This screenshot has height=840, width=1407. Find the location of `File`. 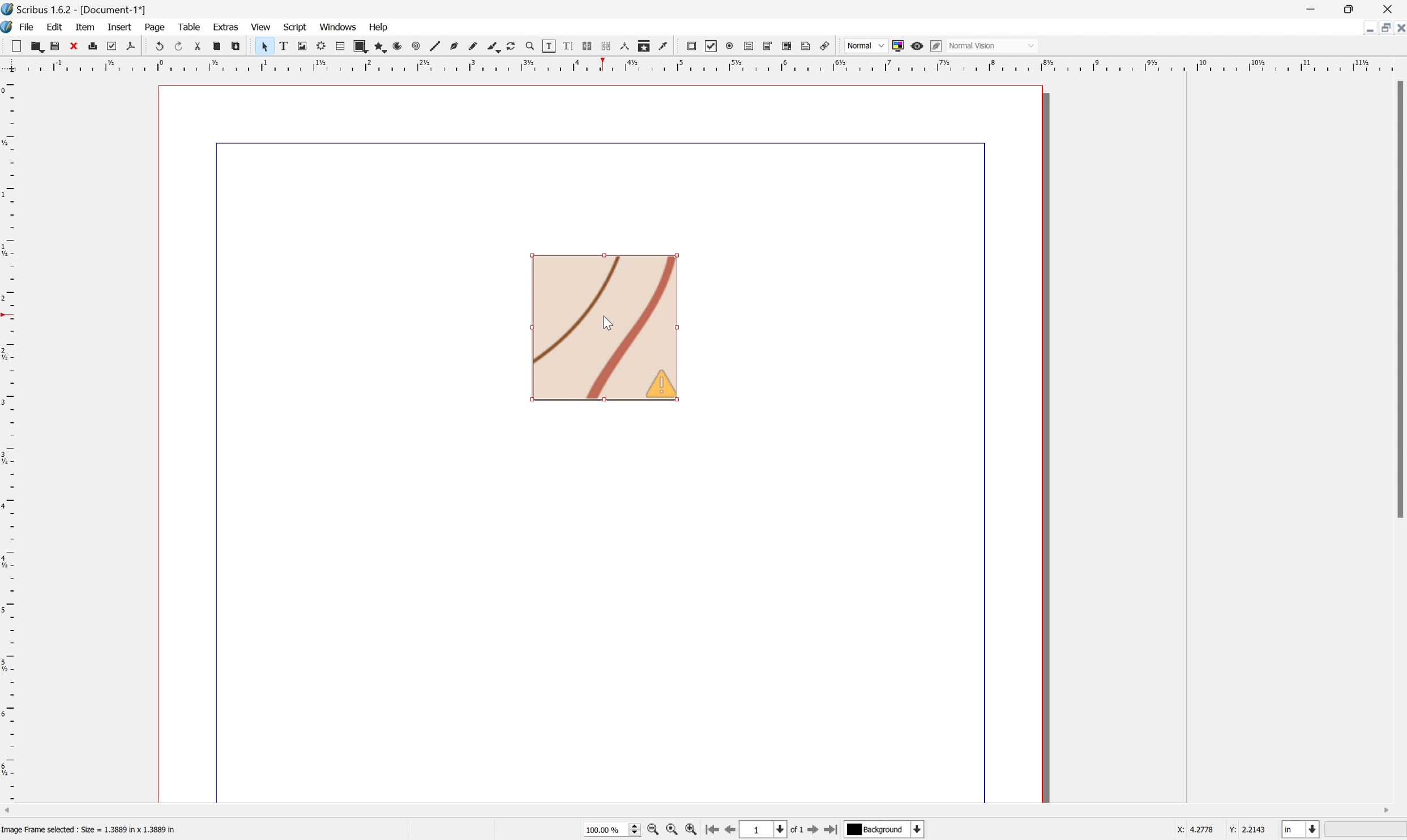

File is located at coordinates (28, 27).